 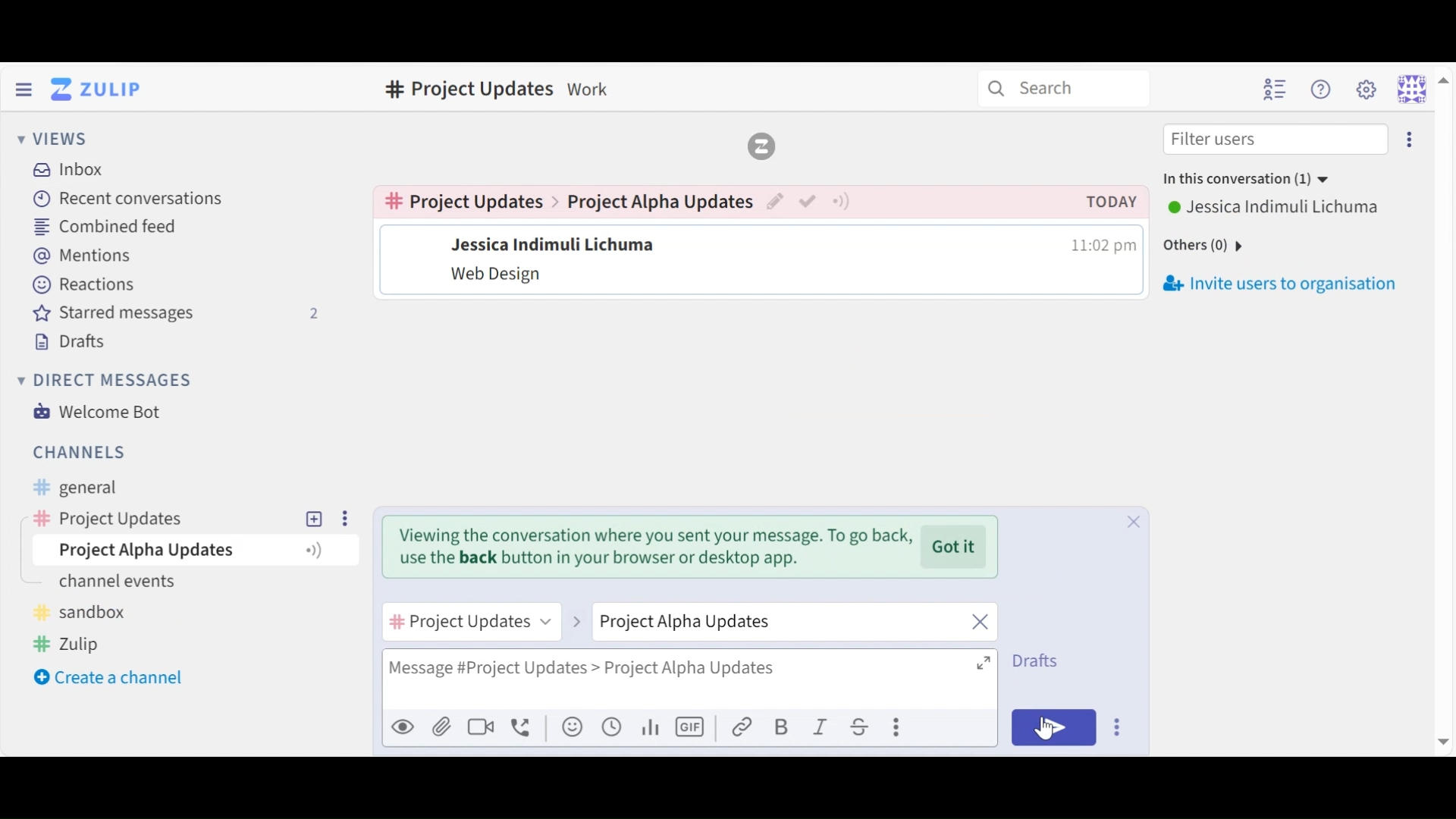 What do you see at coordinates (1134, 608) in the screenshot?
I see `Close` at bounding box center [1134, 608].